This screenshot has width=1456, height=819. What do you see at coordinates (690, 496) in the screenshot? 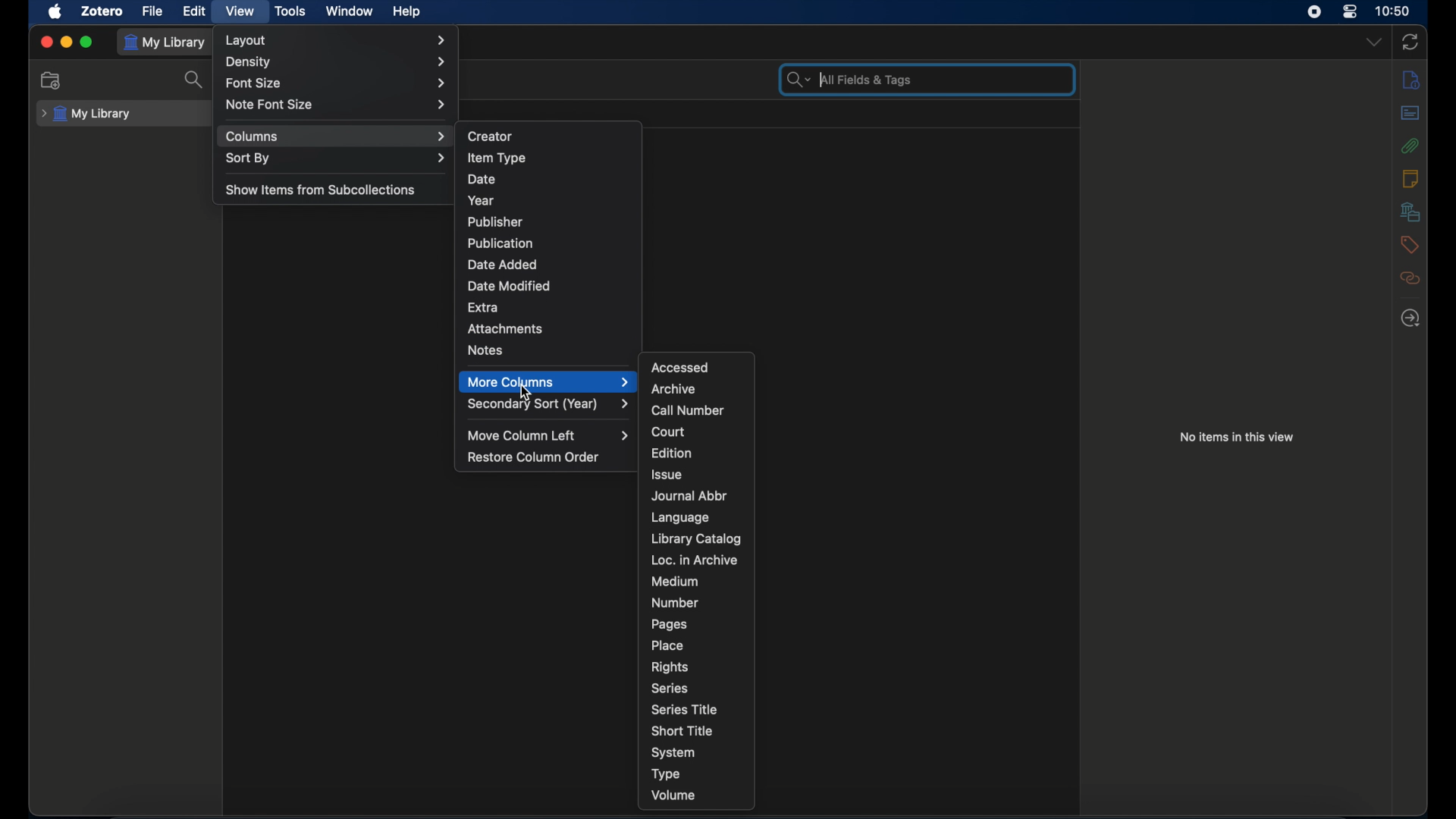
I see `journal abbr` at bounding box center [690, 496].